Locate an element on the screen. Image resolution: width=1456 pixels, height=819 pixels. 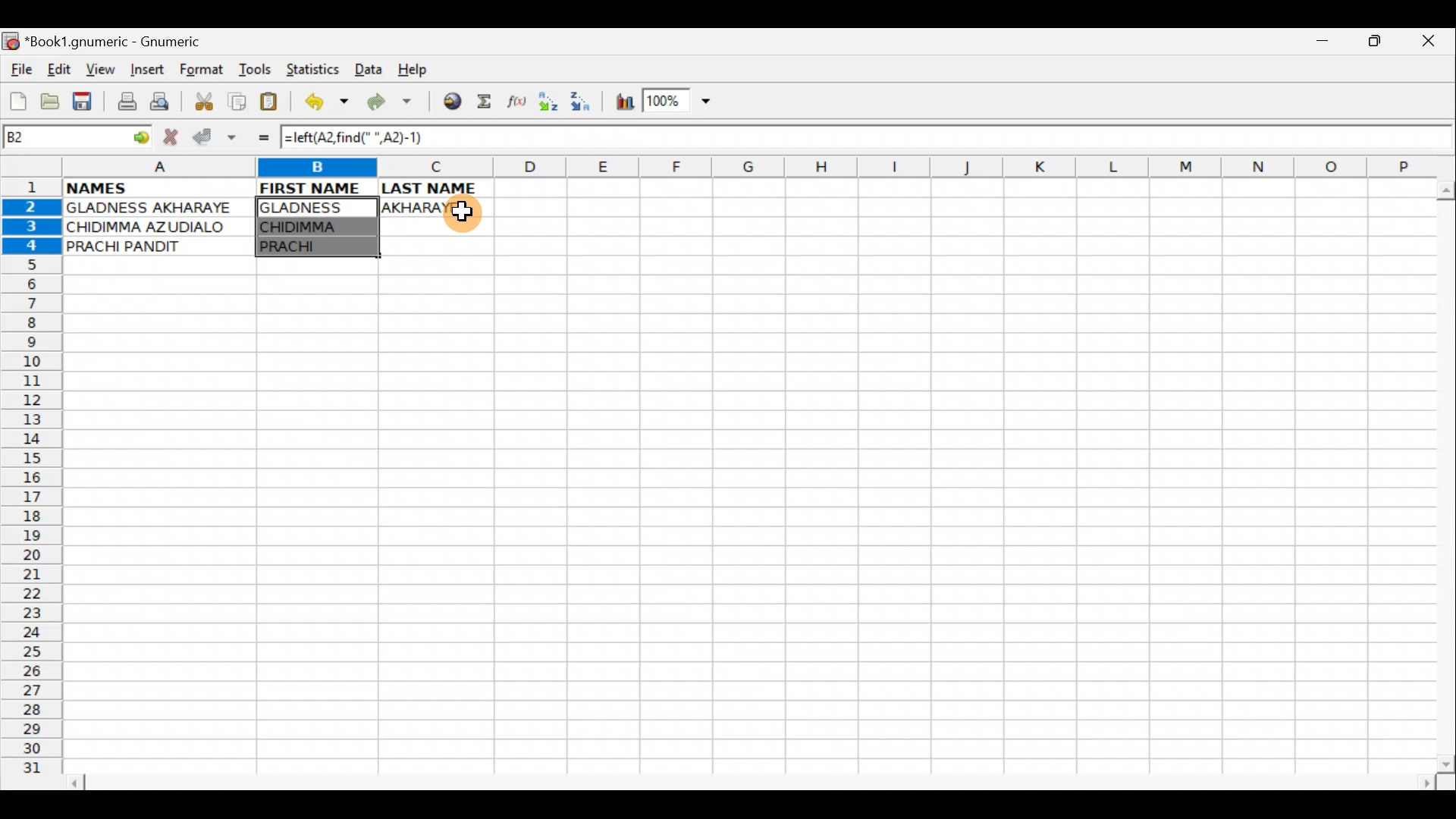
Cell name B2 is located at coordinates (61, 138).